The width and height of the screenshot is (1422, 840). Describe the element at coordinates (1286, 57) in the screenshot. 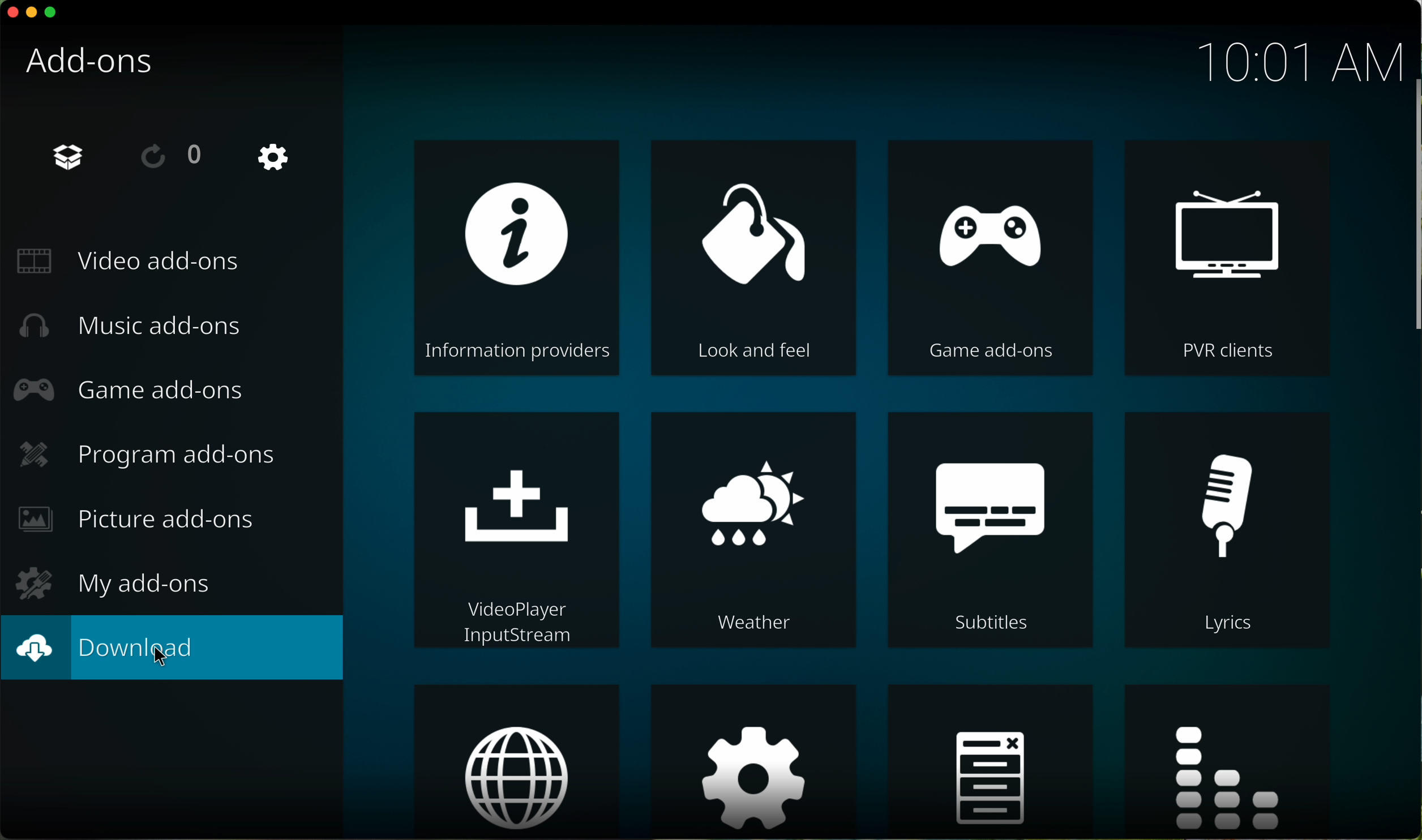

I see `hour` at that location.